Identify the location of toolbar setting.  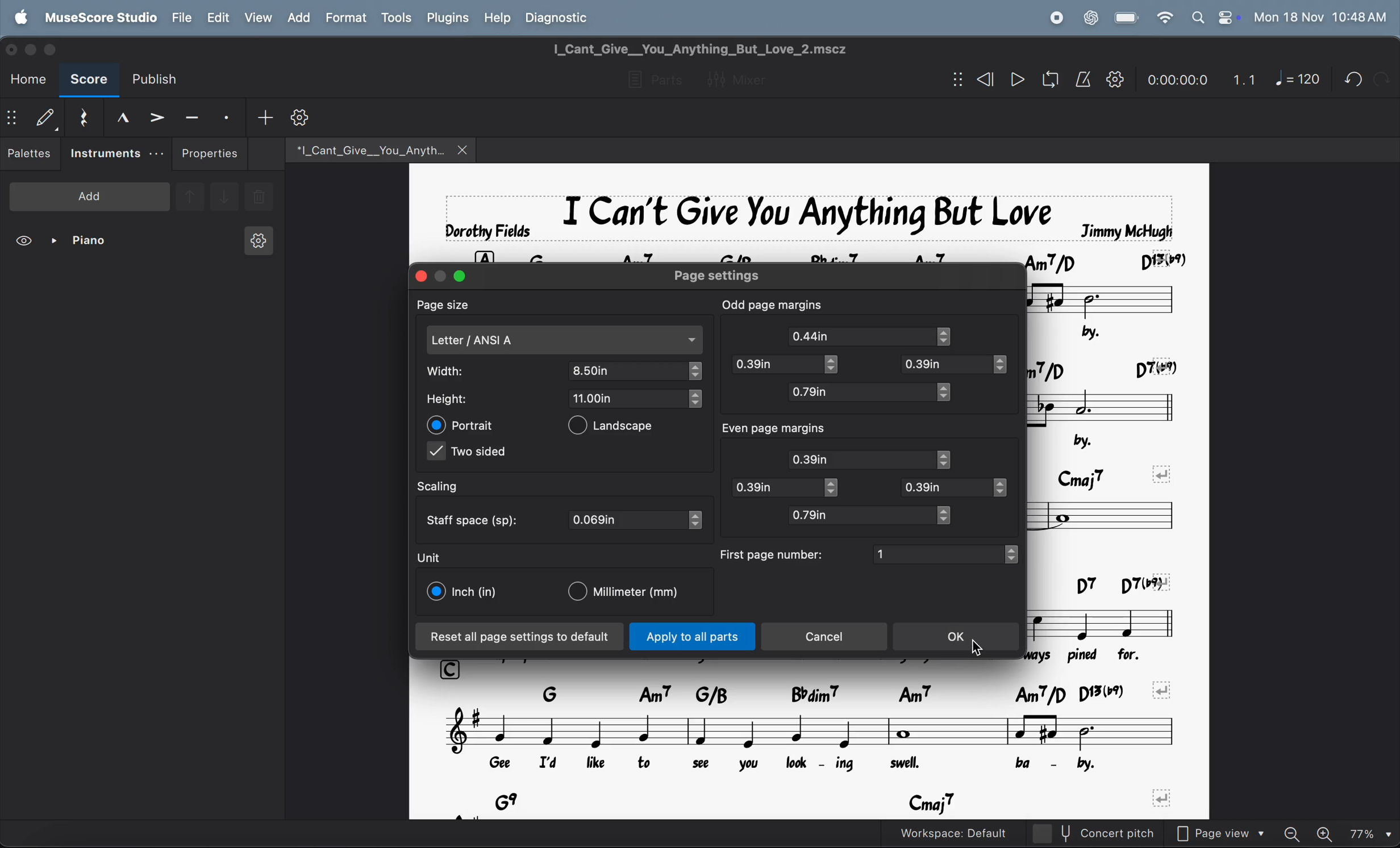
(302, 118).